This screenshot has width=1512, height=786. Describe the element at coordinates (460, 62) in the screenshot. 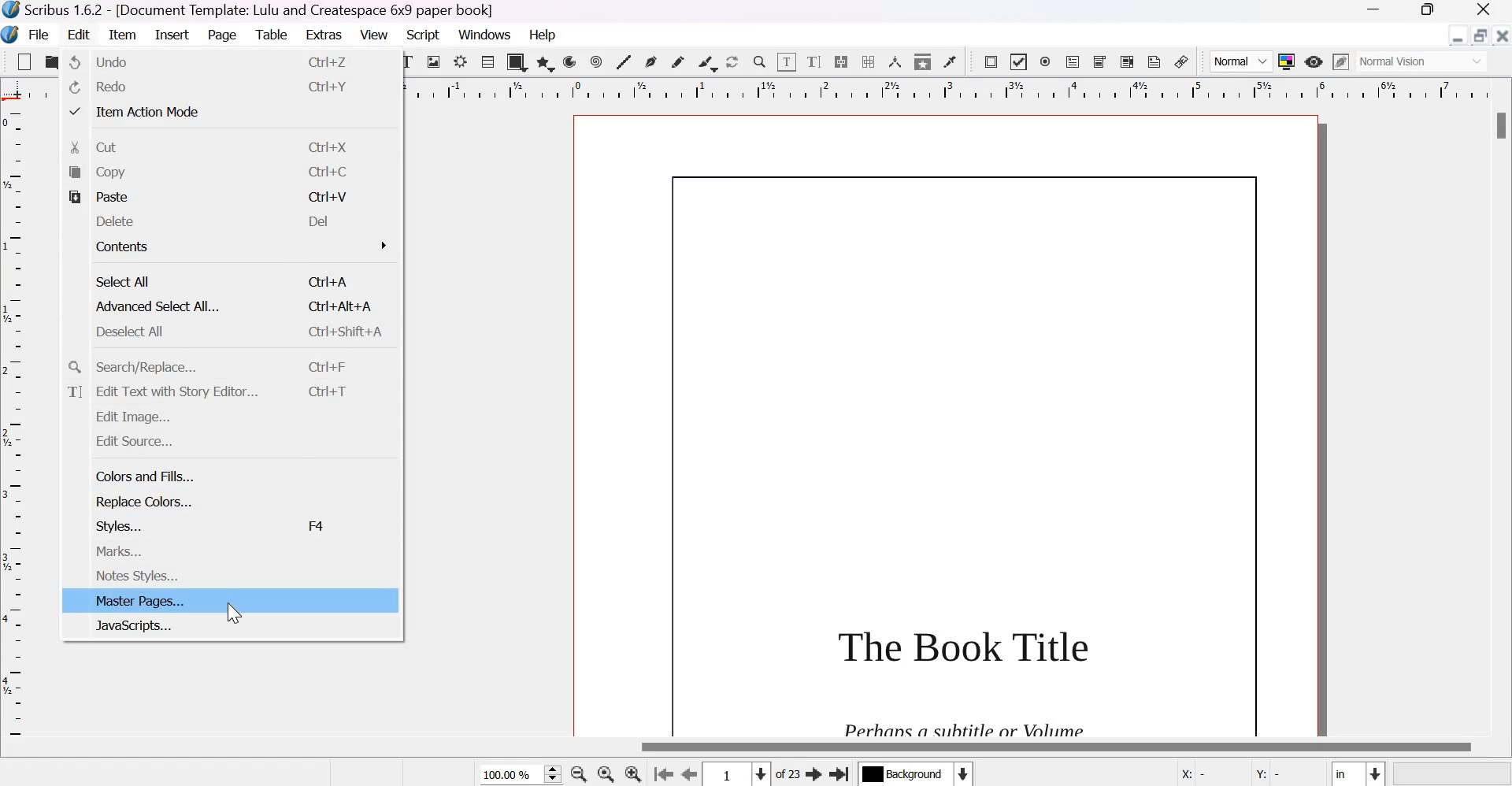

I see `Render frame` at that location.